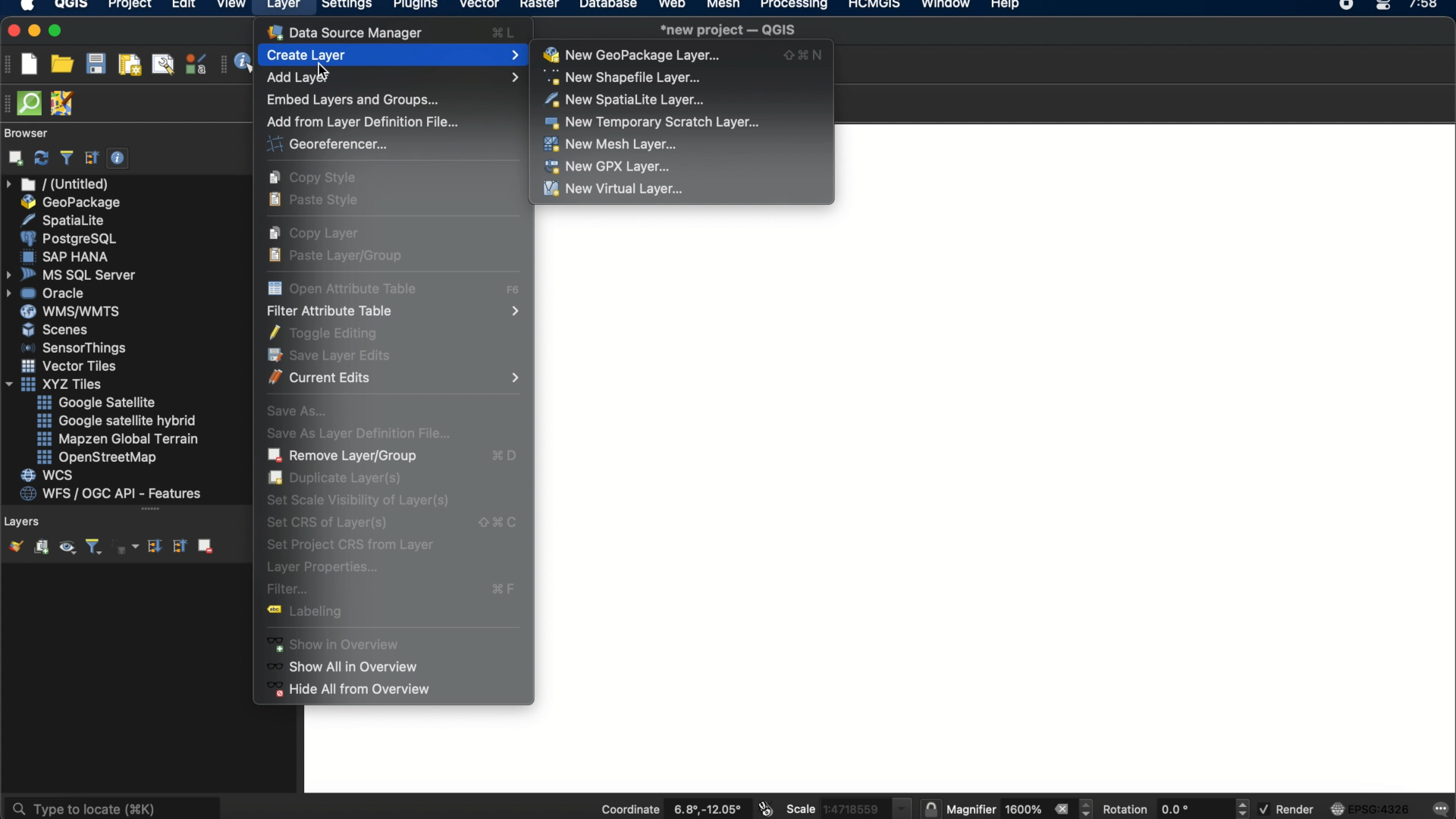 This screenshot has height=819, width=1456. I want to click on workspace, so click(993, 500).